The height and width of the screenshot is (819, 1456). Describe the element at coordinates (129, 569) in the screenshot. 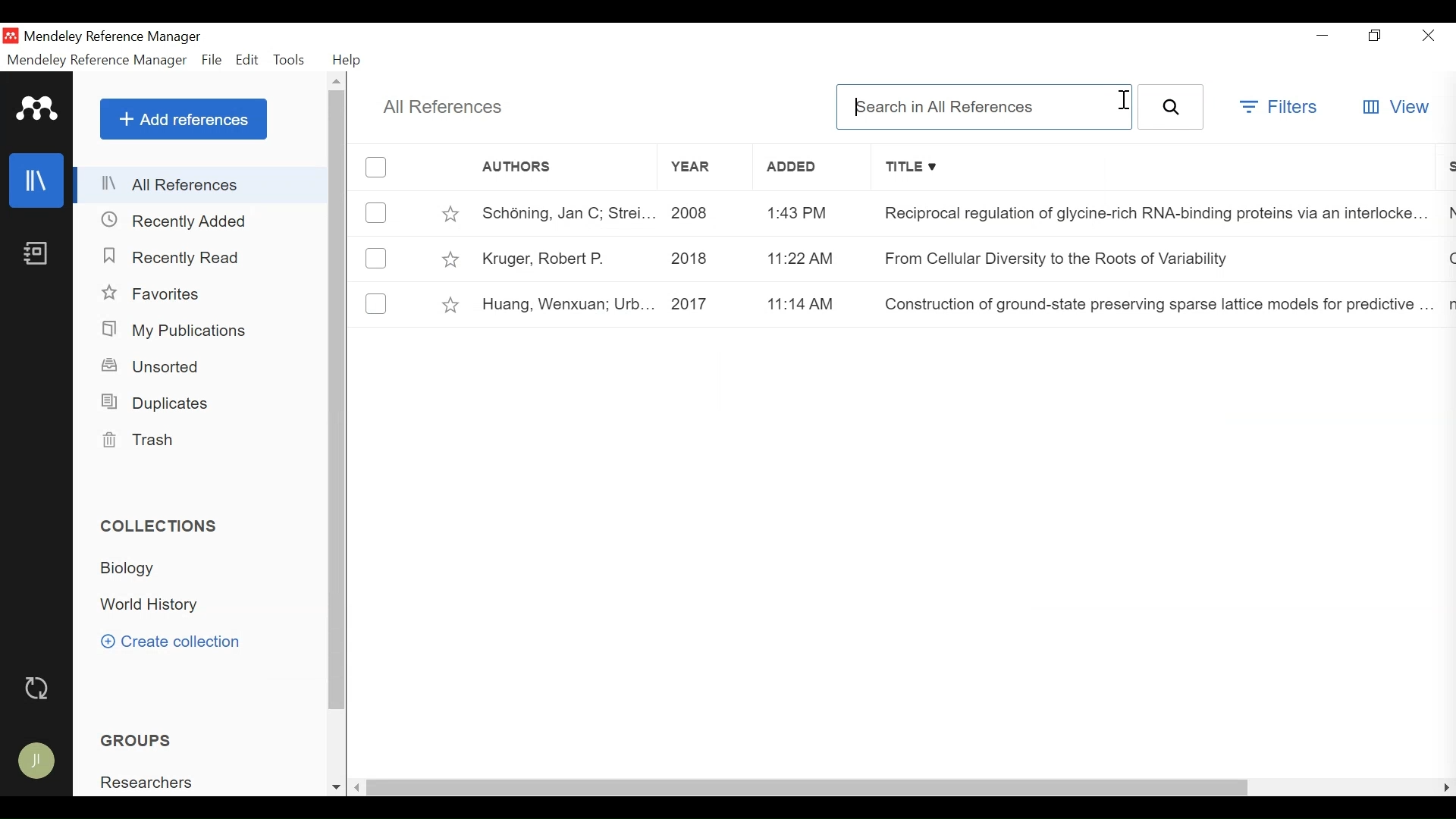

I see `Collection` at that location.